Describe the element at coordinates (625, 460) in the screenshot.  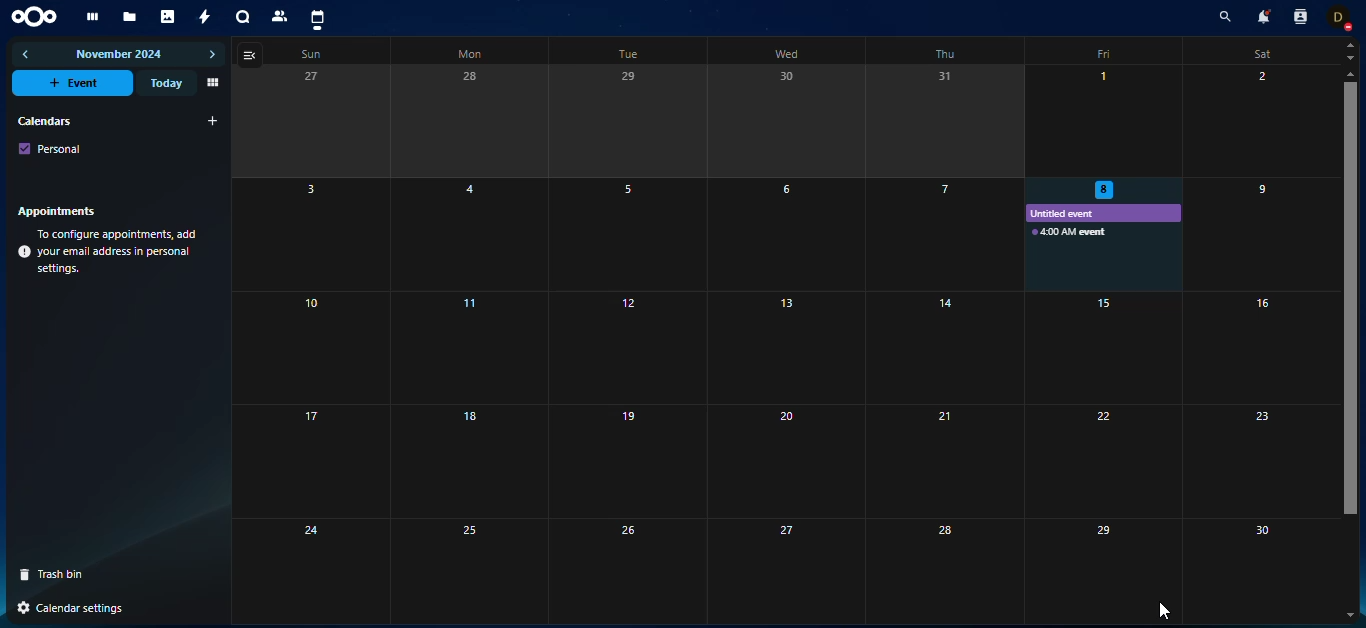
I see `19` at that location.